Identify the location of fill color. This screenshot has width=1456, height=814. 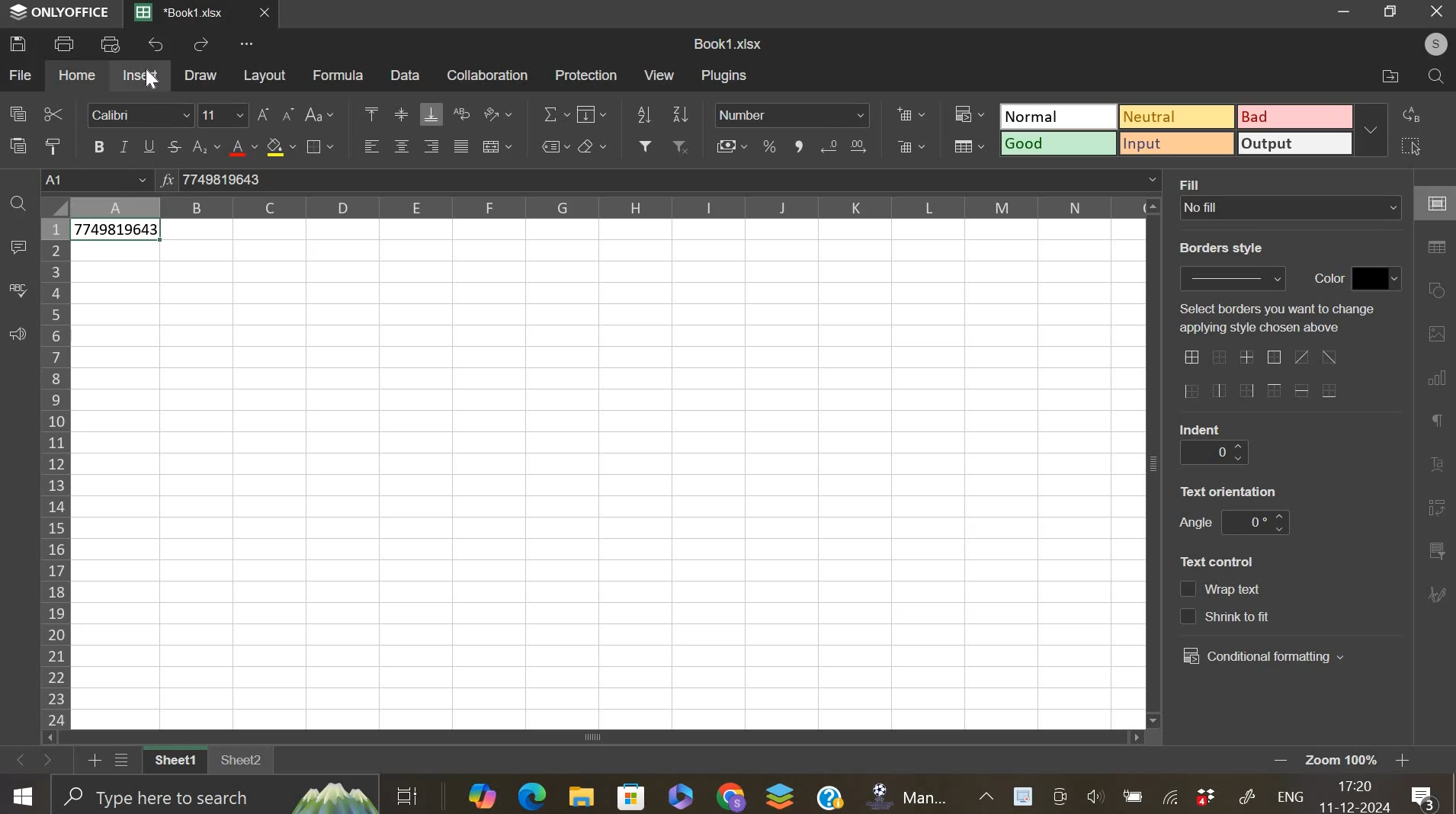
(280, 147).